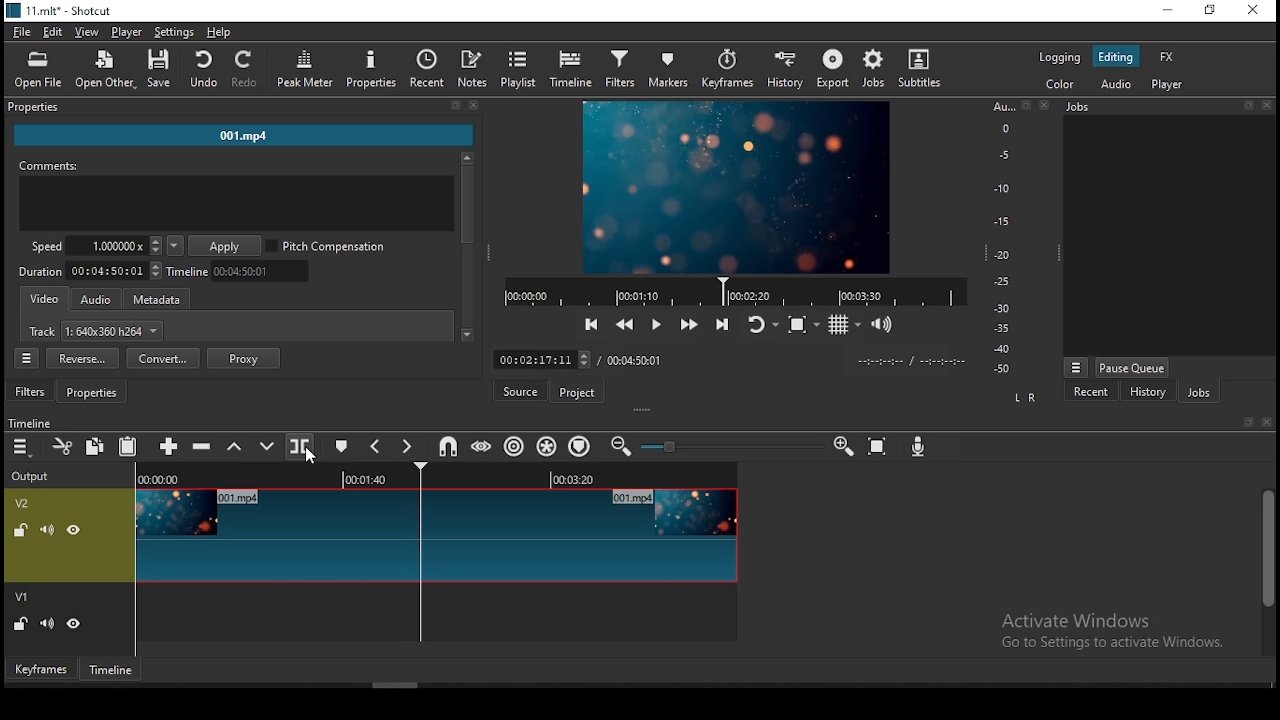  What do you see at coordinates (920, 448) in the screenshot?
I see `record audio` at bounding box center [920, 448].